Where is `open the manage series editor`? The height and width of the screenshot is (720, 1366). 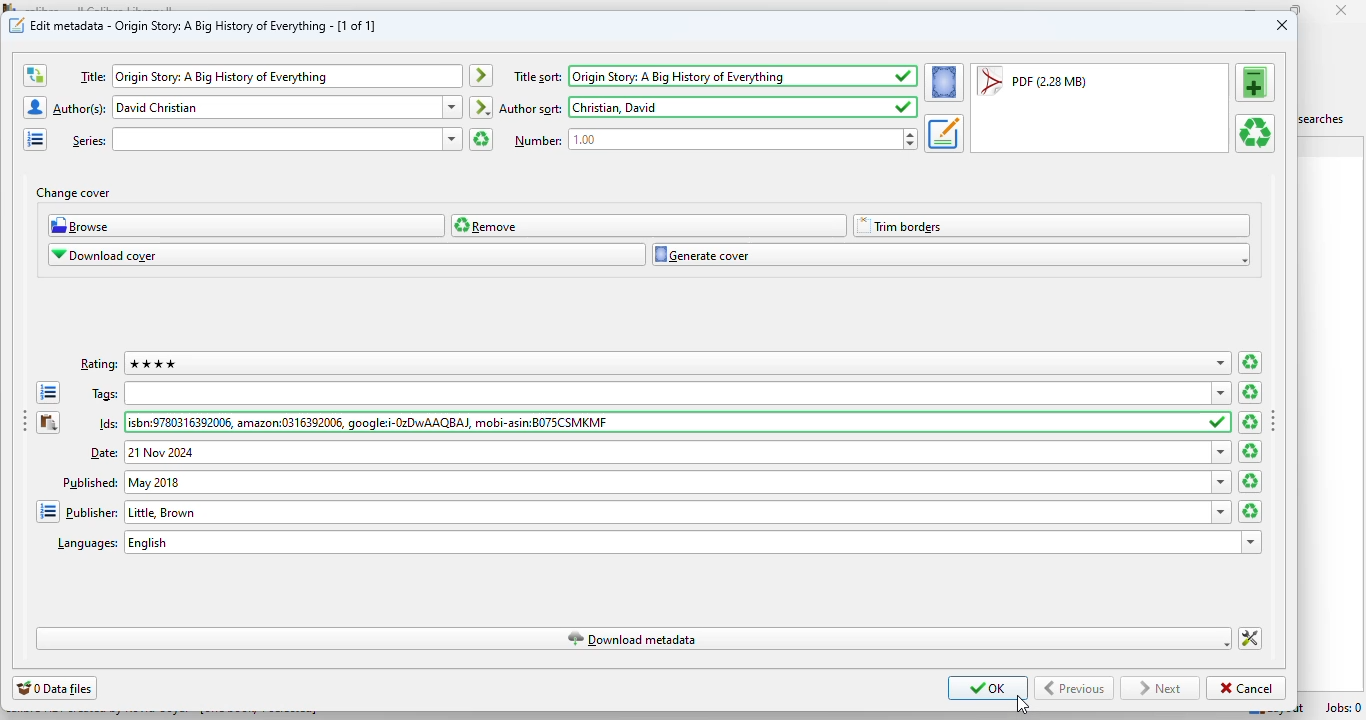 open the manage series editor is located at coordinates (36, 139).